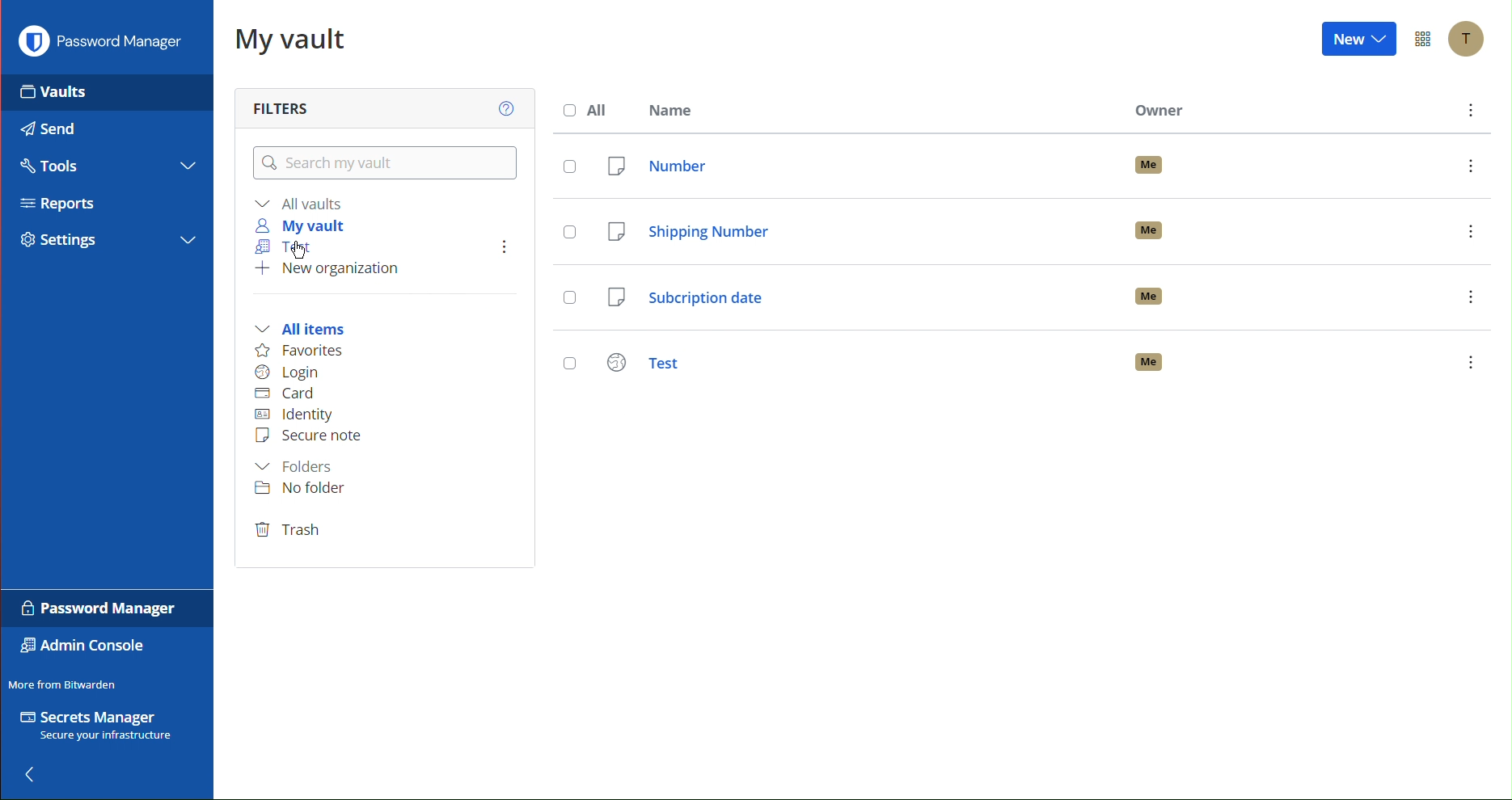 This screenshot has height=800, width=1512. I want to click on expand/collapse, so click(189, 163).